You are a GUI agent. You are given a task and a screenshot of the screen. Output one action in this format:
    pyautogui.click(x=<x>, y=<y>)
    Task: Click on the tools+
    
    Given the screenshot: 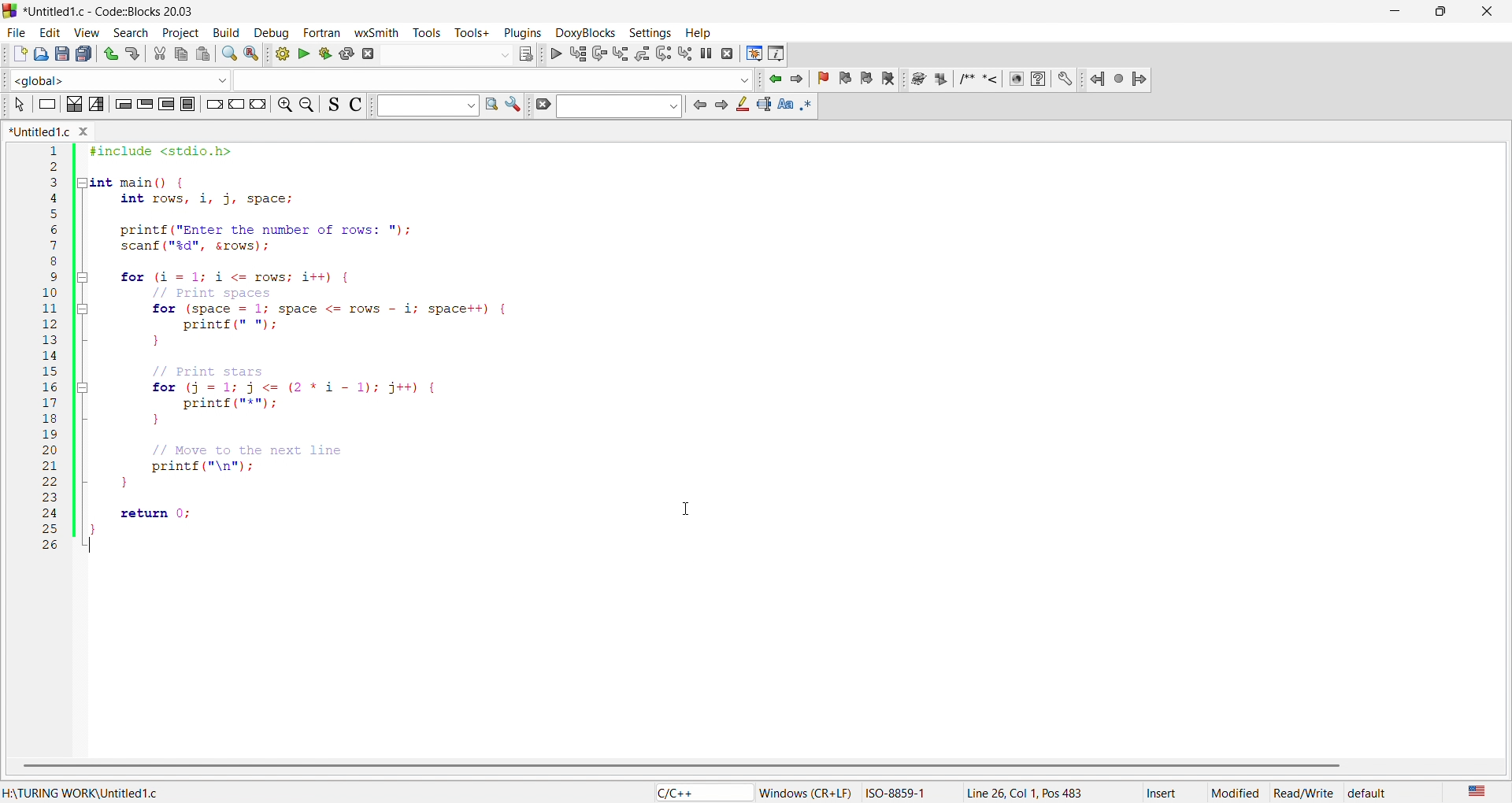 What is the action you would take?
    pyautogui.click(x=475, y=35)
    